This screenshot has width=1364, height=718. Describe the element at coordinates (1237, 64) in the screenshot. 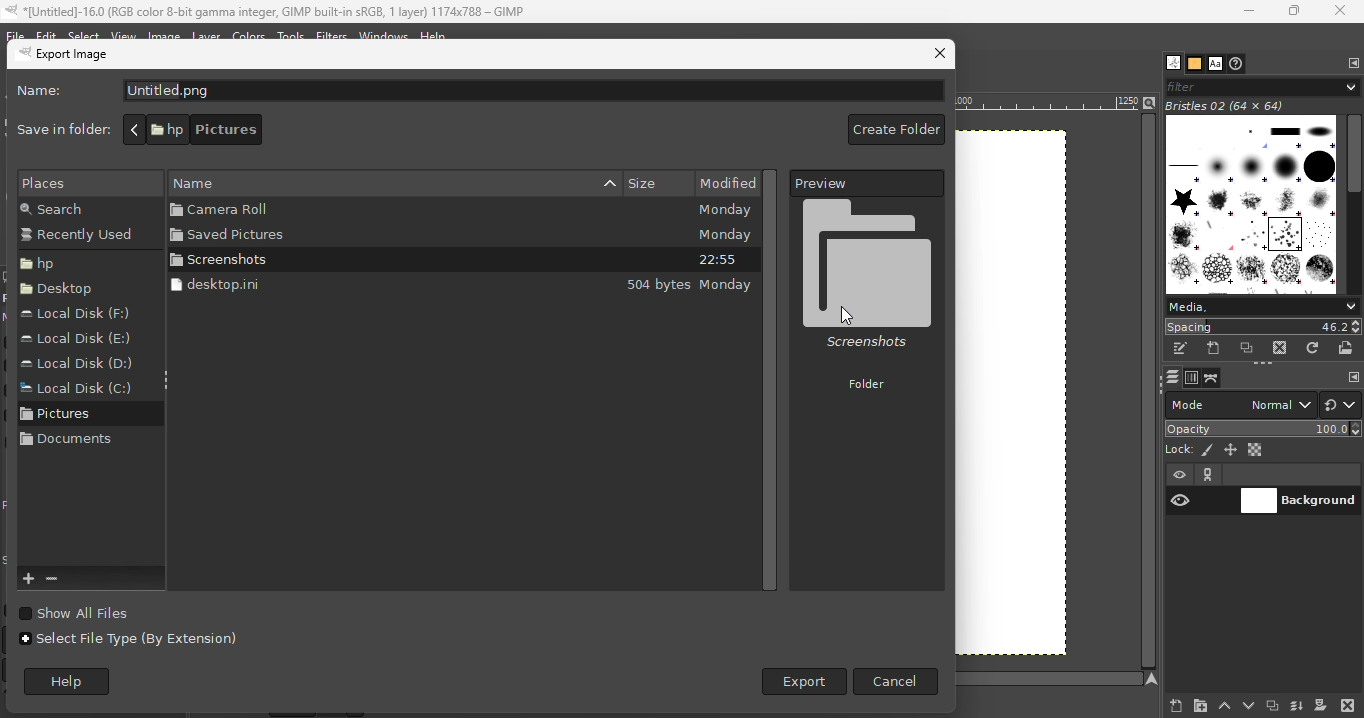

I see `Document history` at that location.